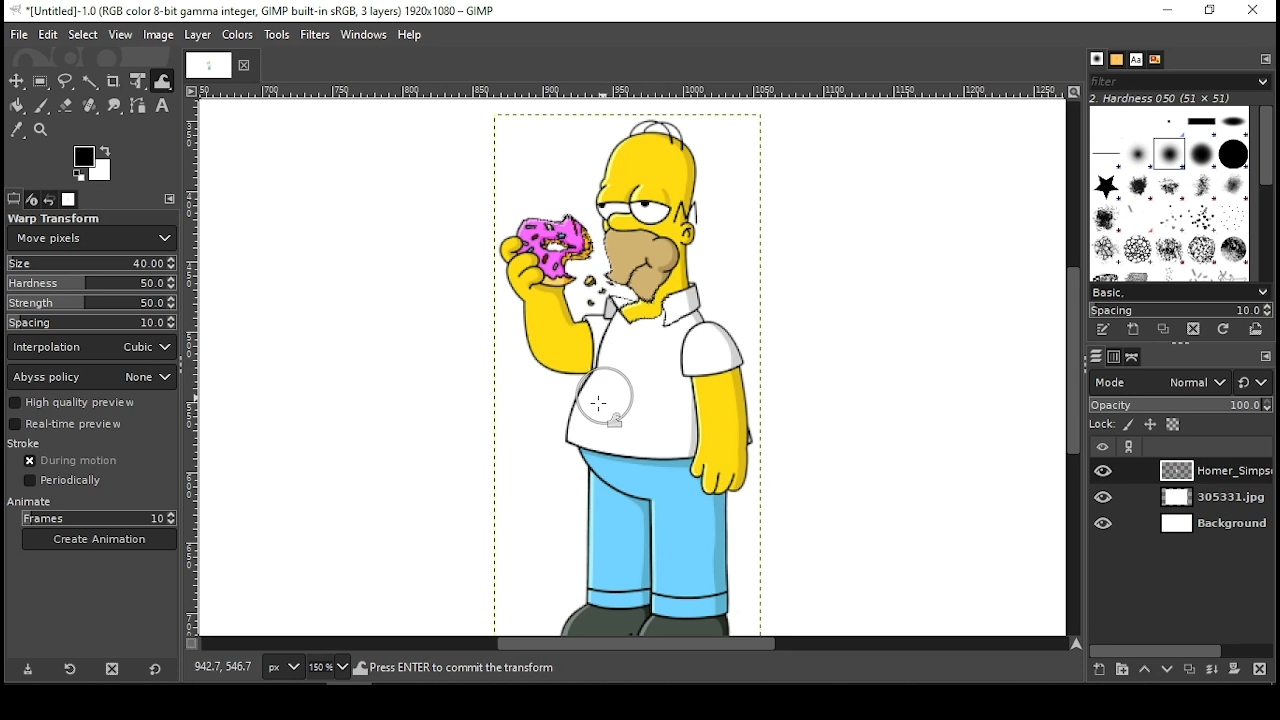  What do you see at coordinates (160, 35) in the screenshot?
I see `image` at bounding box center [160, 35].